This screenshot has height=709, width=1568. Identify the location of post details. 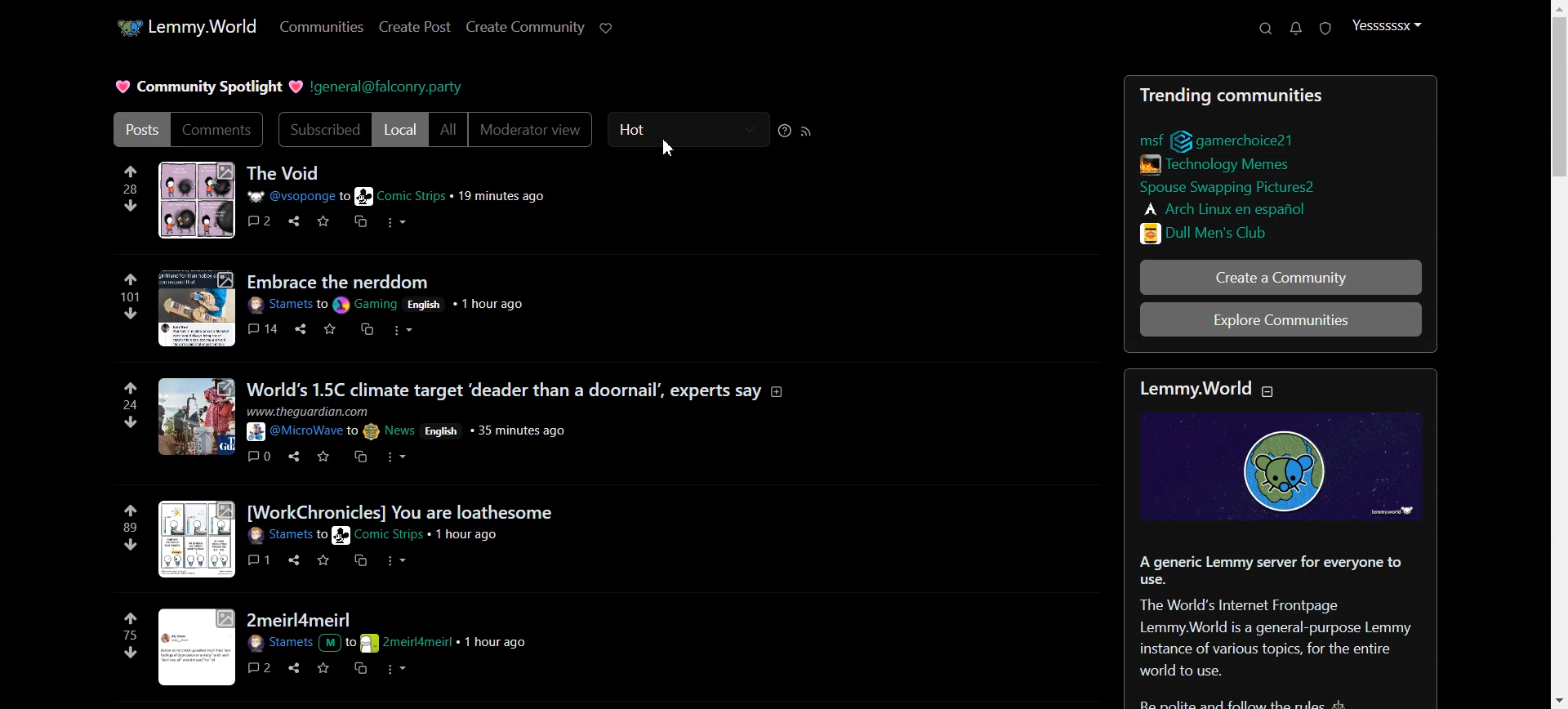
(375, 537).